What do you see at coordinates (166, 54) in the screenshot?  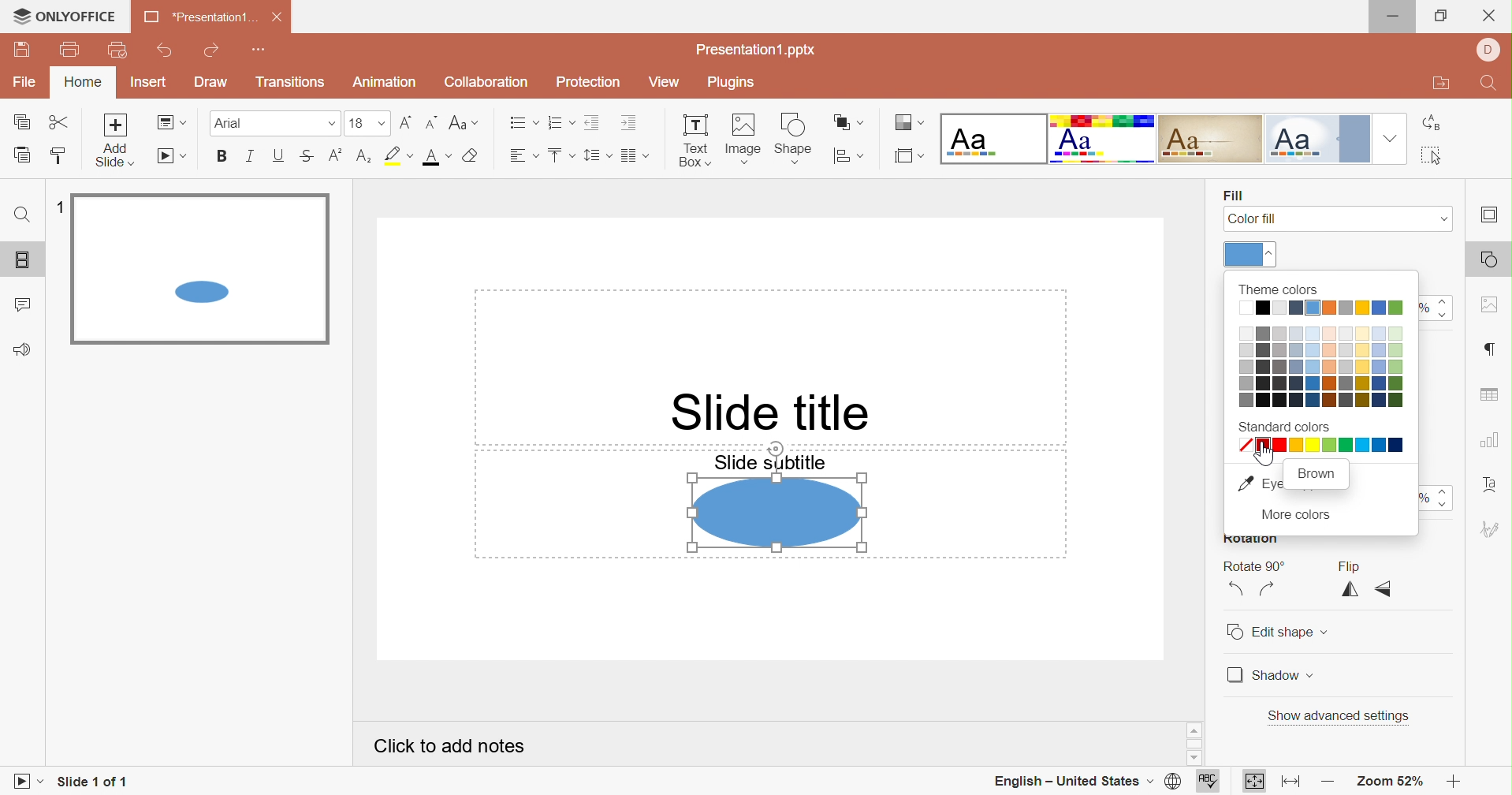 I see `Undo` at bounding box center [166, 54].